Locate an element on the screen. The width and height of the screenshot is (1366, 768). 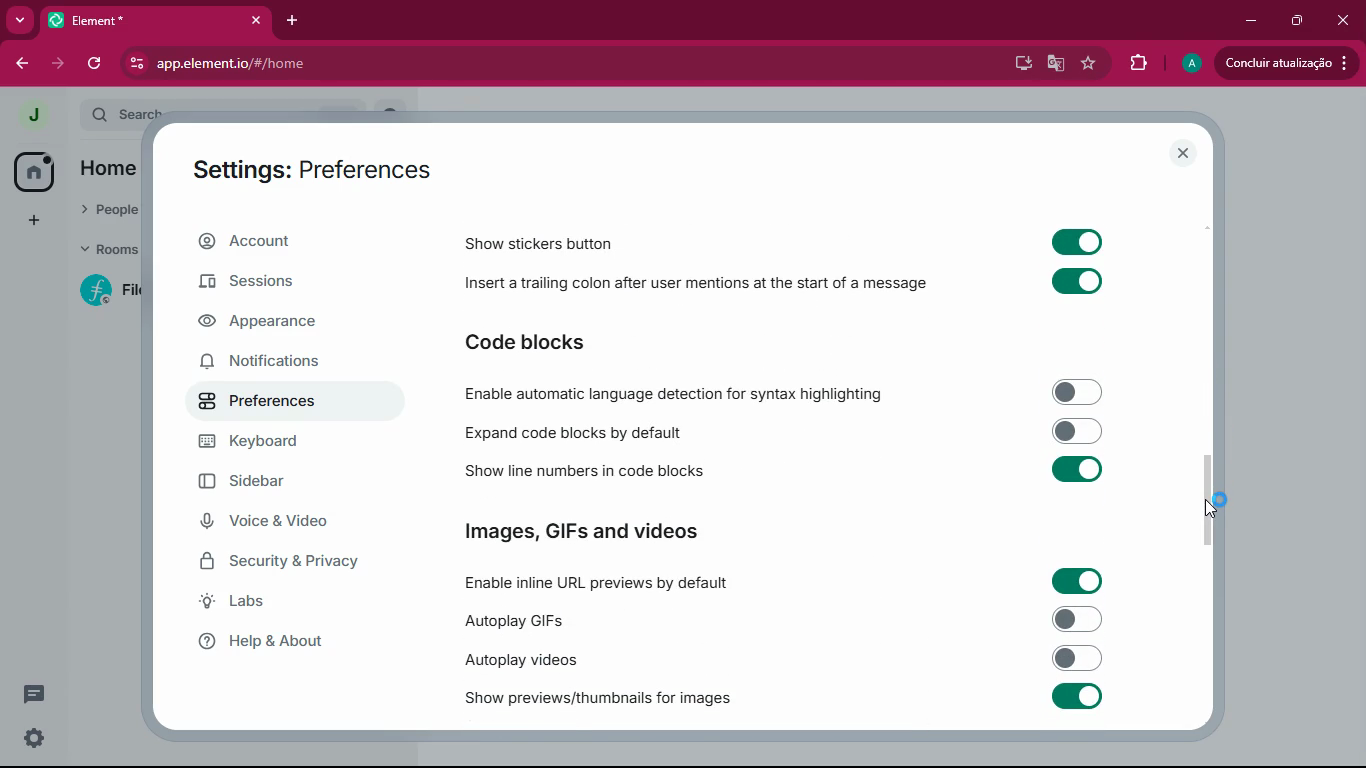
profile picture is located at coordinates (1188, 63).